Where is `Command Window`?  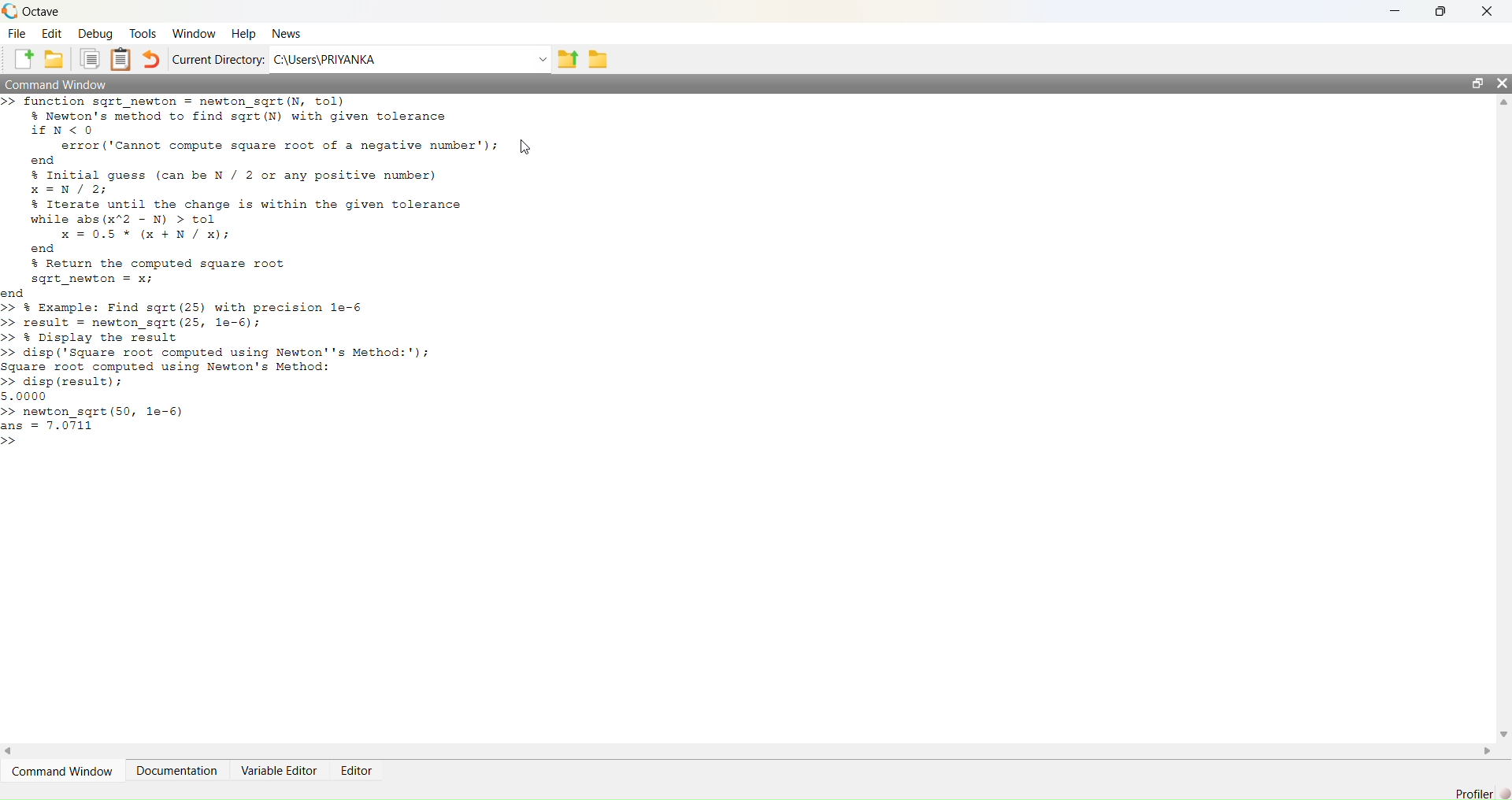
Command Window is located at coordinates (66, 772).